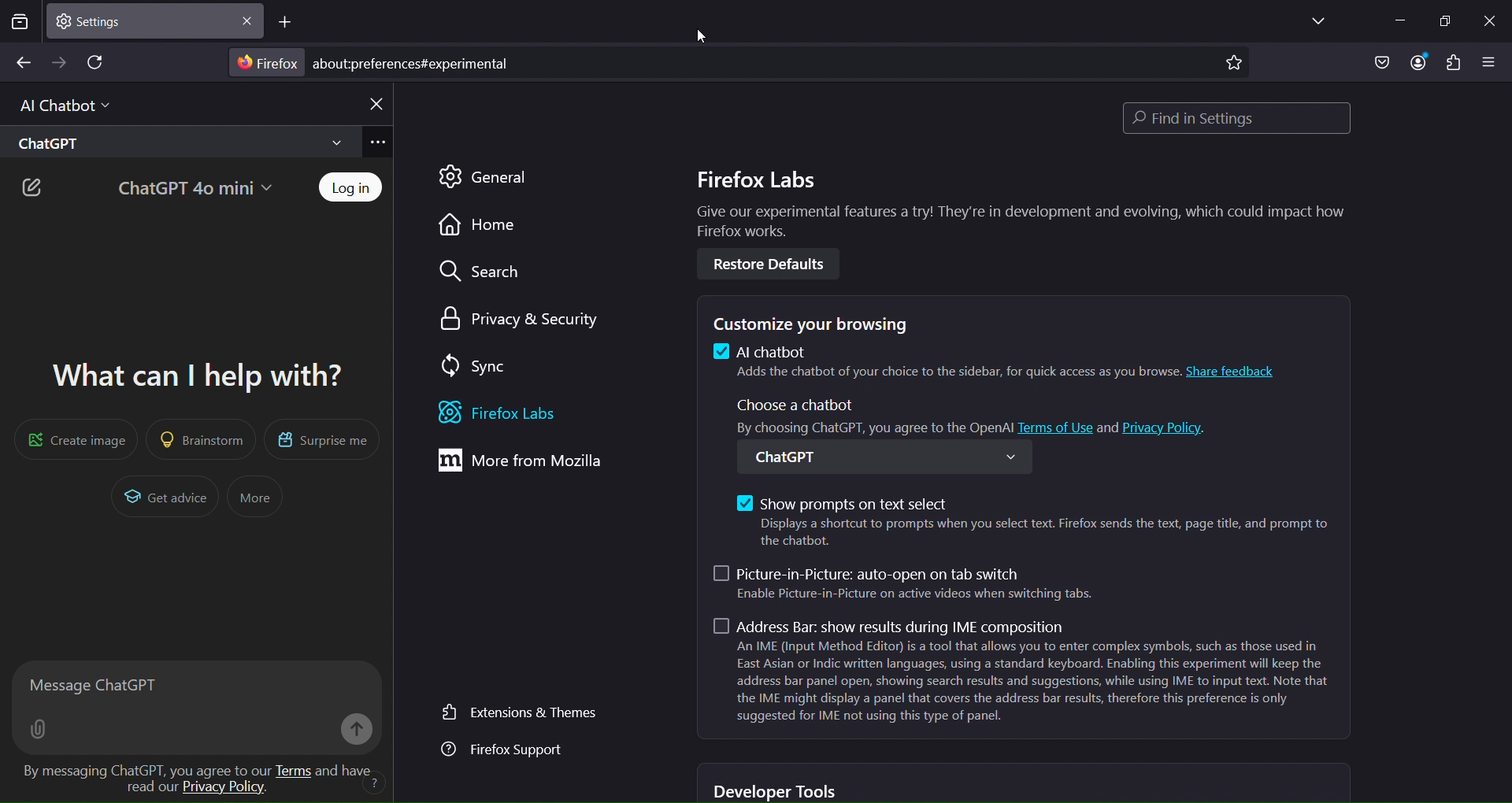 The image size is (1512, 803). What do you see at coordinates (702, 40) in the screenshot?
I see `cursor` at bounding box center [702, 40].